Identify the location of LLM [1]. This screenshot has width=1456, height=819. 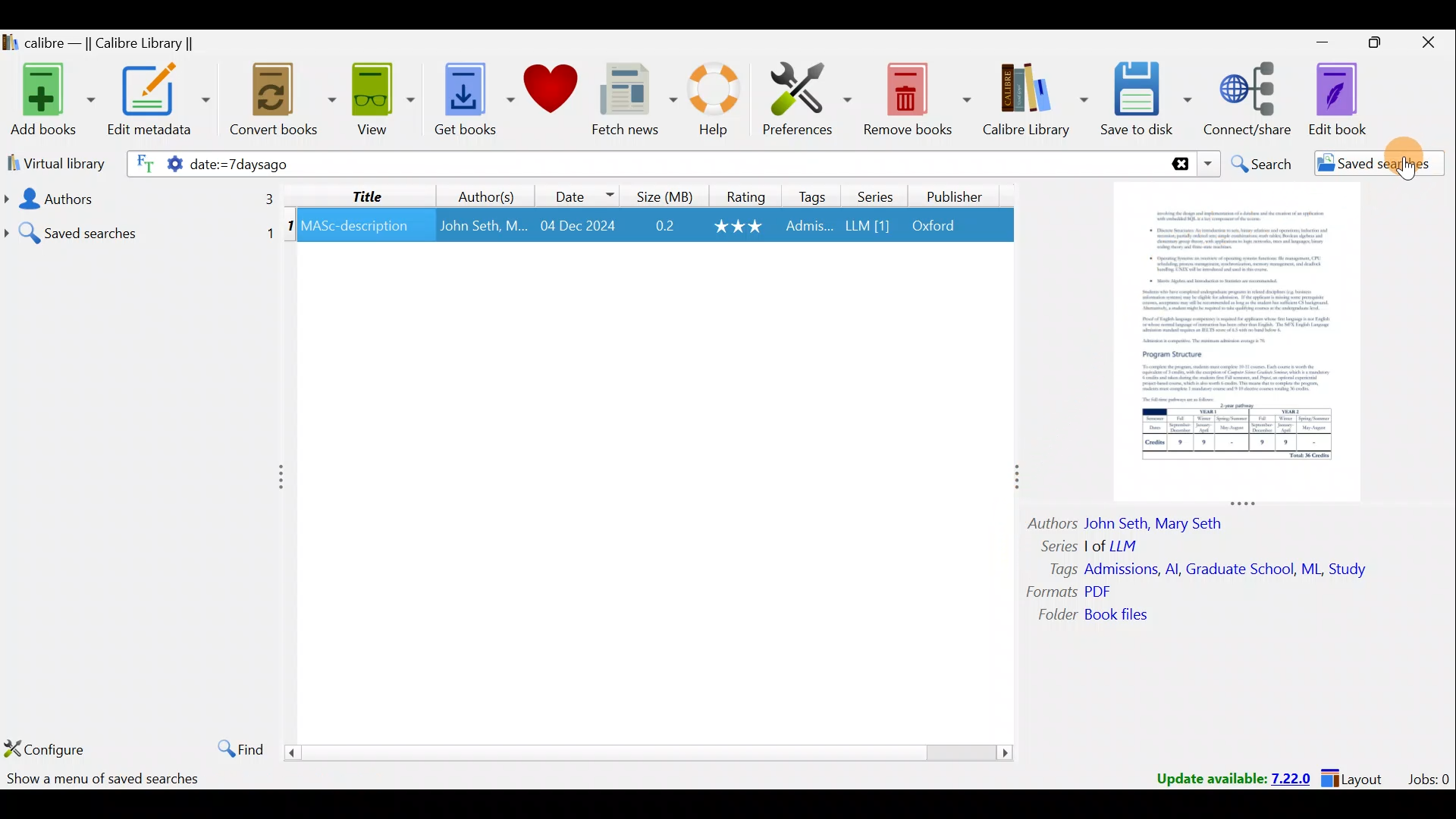
(866, 228).